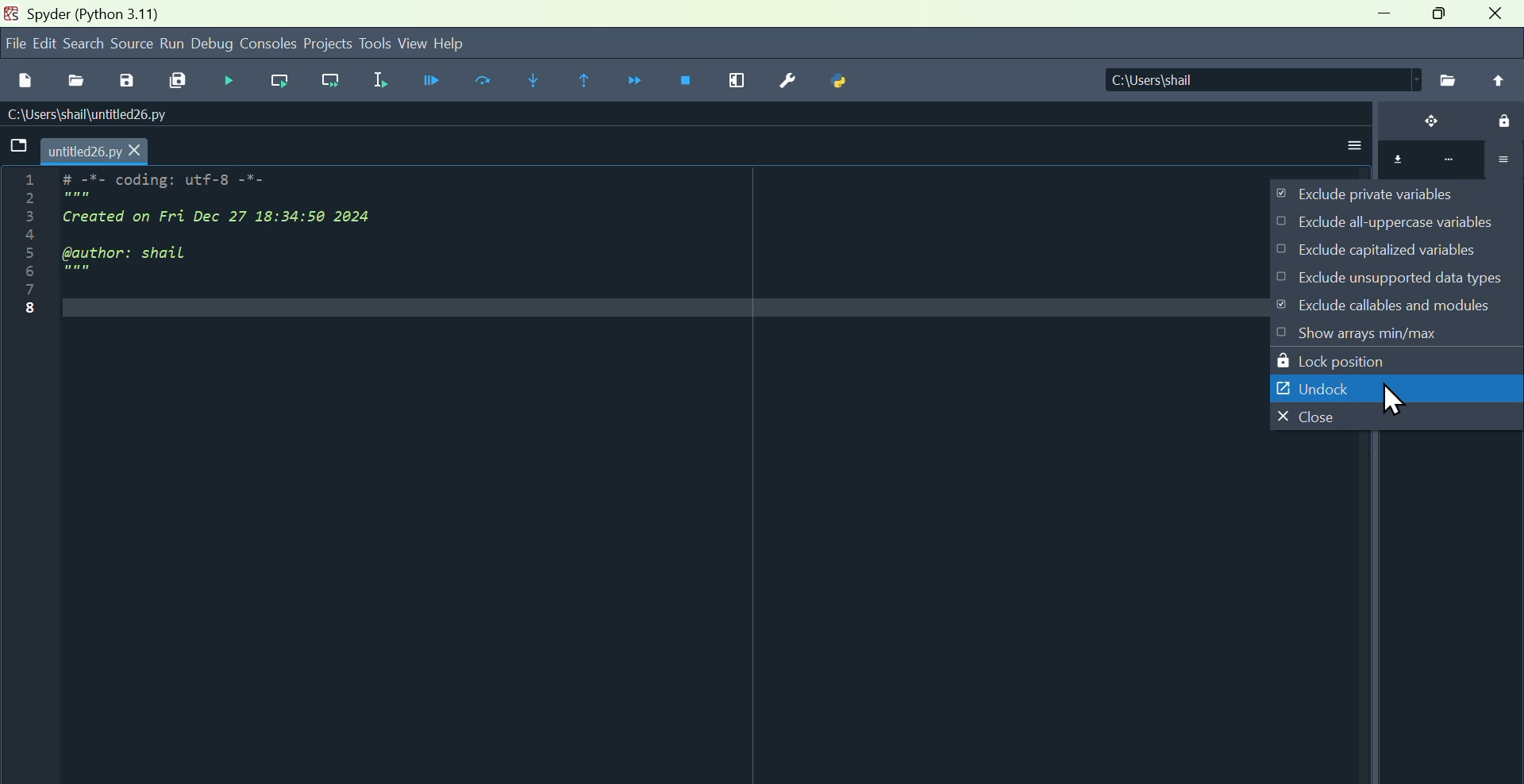 Image resolution: width=1524 pixels, height=784 pixels. I want to click on Consoles, so click(270, 42).